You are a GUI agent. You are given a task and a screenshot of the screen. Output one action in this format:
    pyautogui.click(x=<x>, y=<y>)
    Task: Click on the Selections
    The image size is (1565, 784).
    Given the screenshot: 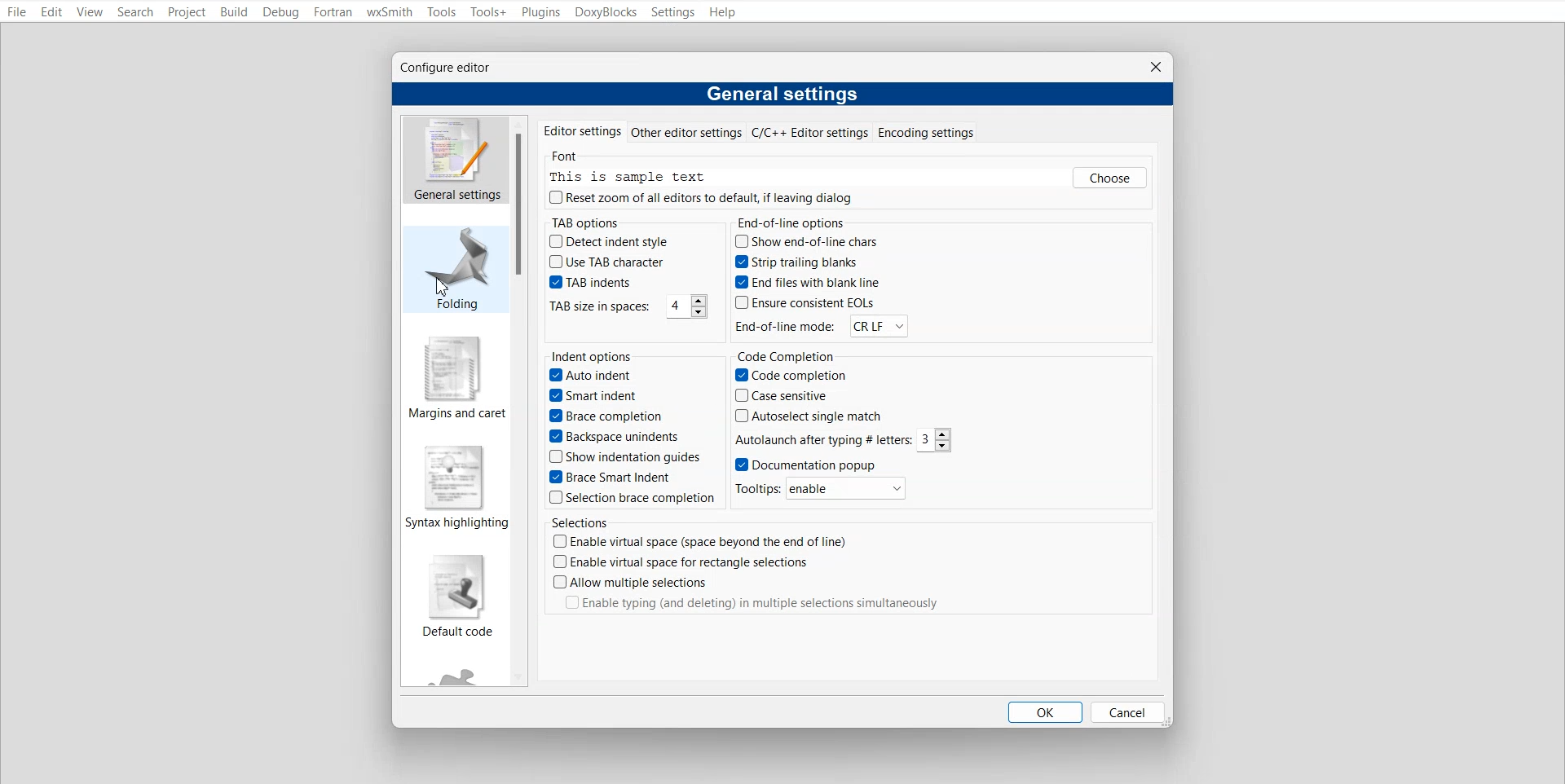 What is the action you would take?
    pyautogui.click(x=578, y=522)
    